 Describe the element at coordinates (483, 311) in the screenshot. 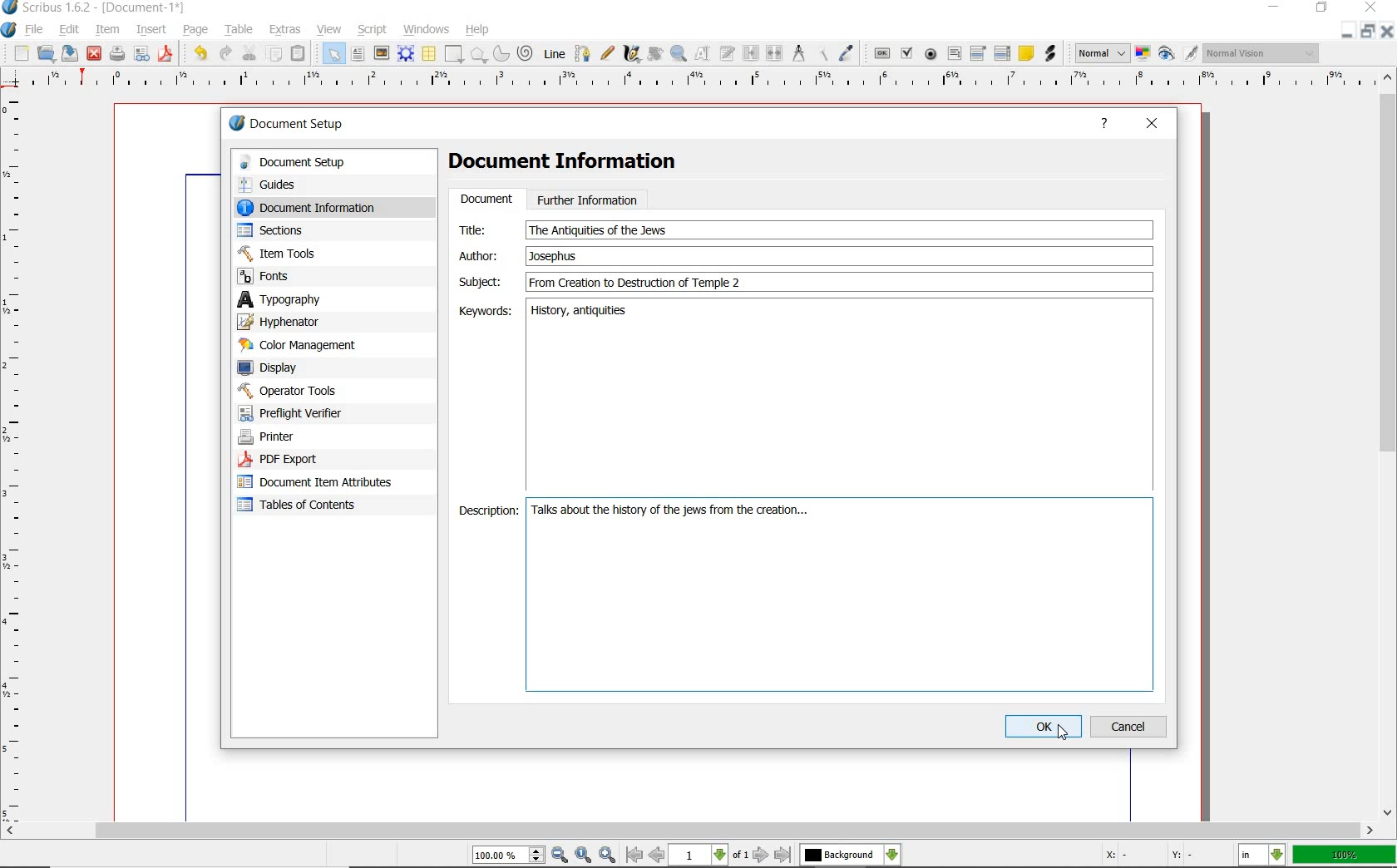

I see `Keywords:` at that location.